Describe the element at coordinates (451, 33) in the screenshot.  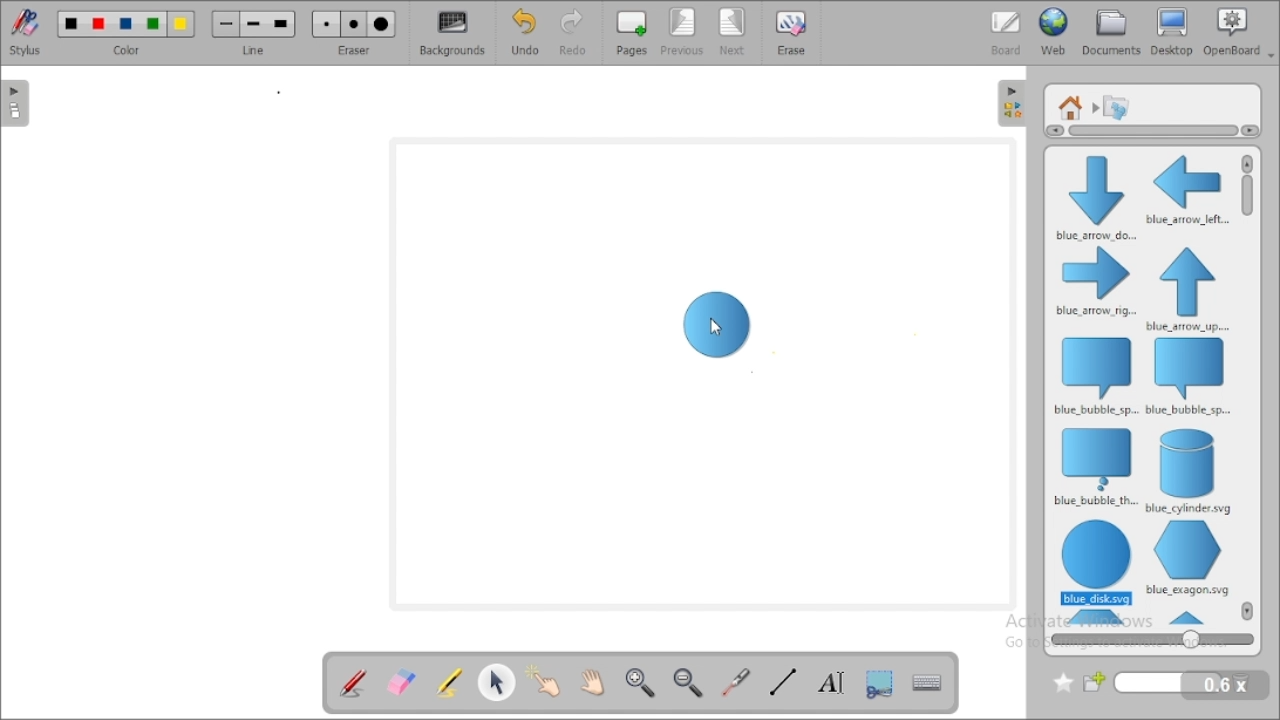
I see `backgrounds` at that location.